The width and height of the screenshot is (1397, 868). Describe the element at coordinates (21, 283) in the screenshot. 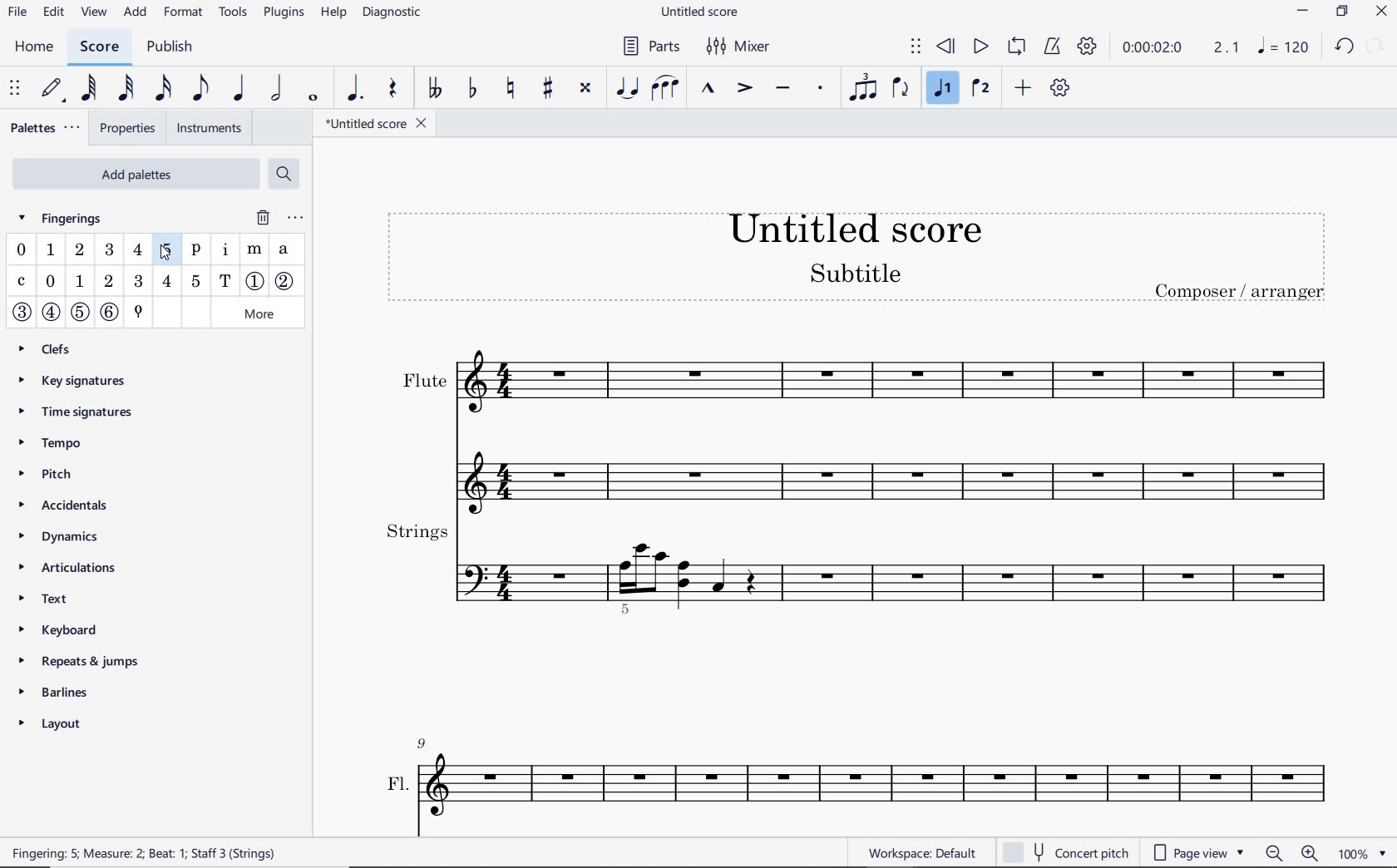

I see `RH GUITAR FINGERING C` at that location.